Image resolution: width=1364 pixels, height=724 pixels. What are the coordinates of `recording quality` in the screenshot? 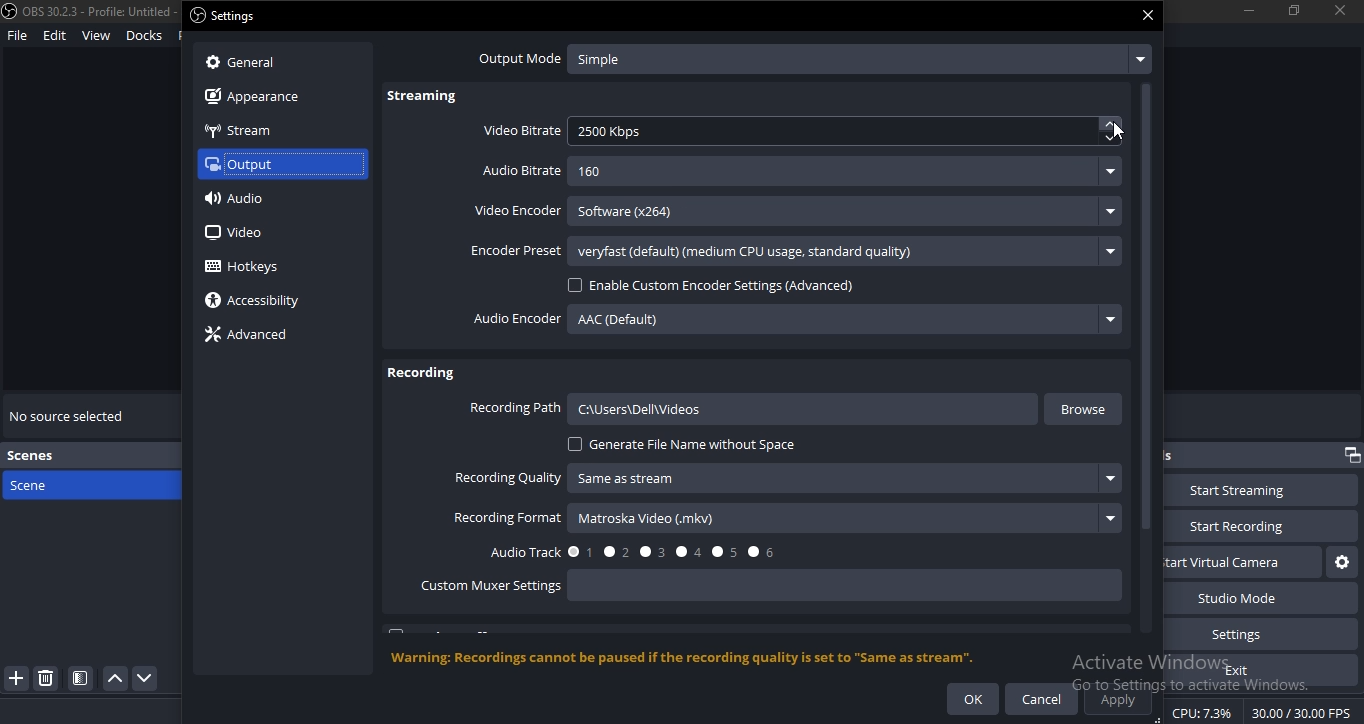 It's located at (507, 477).